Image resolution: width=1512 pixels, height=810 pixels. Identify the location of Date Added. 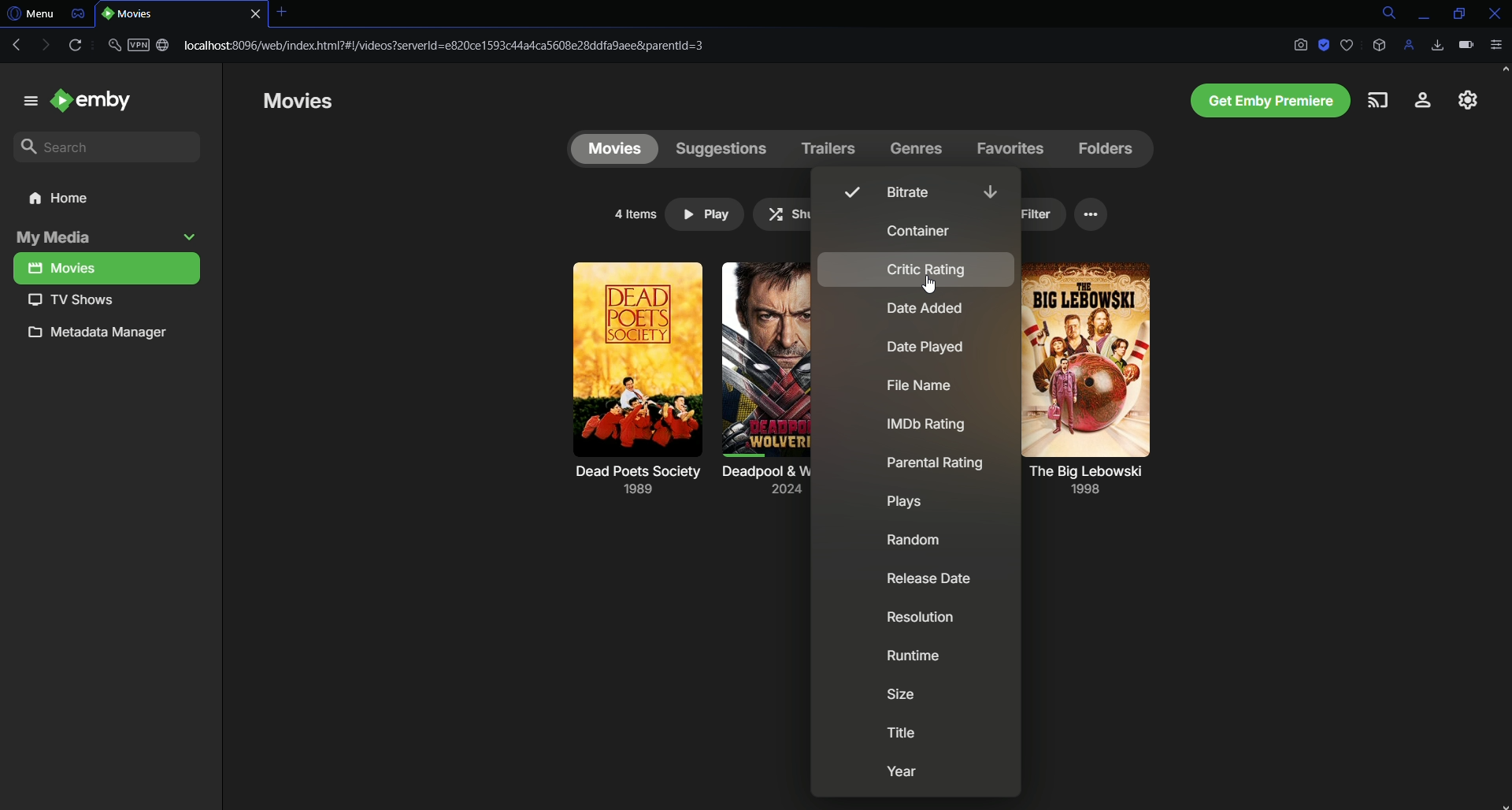
(922, 313).